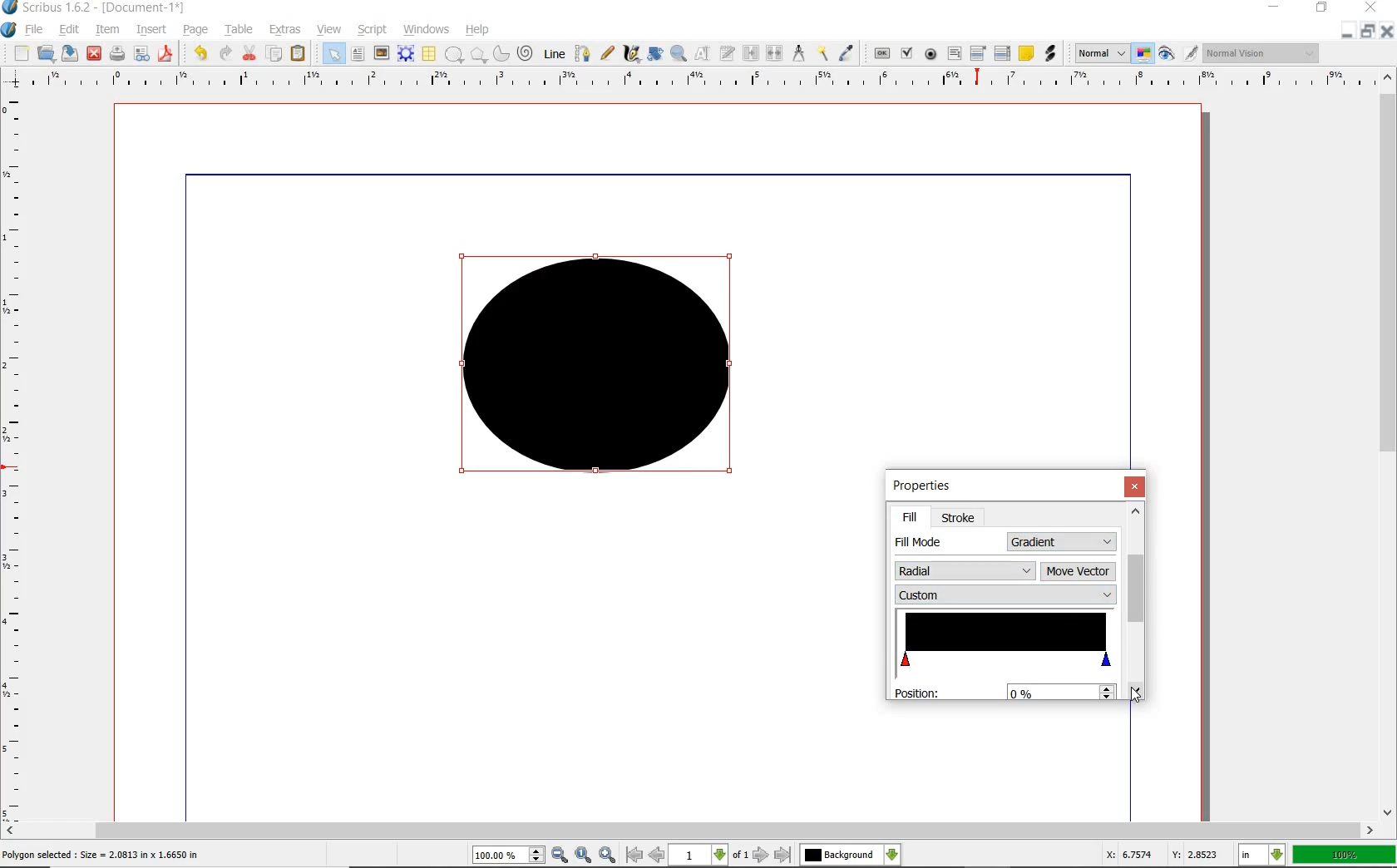  I want to click on custom, so click(1005, 595).